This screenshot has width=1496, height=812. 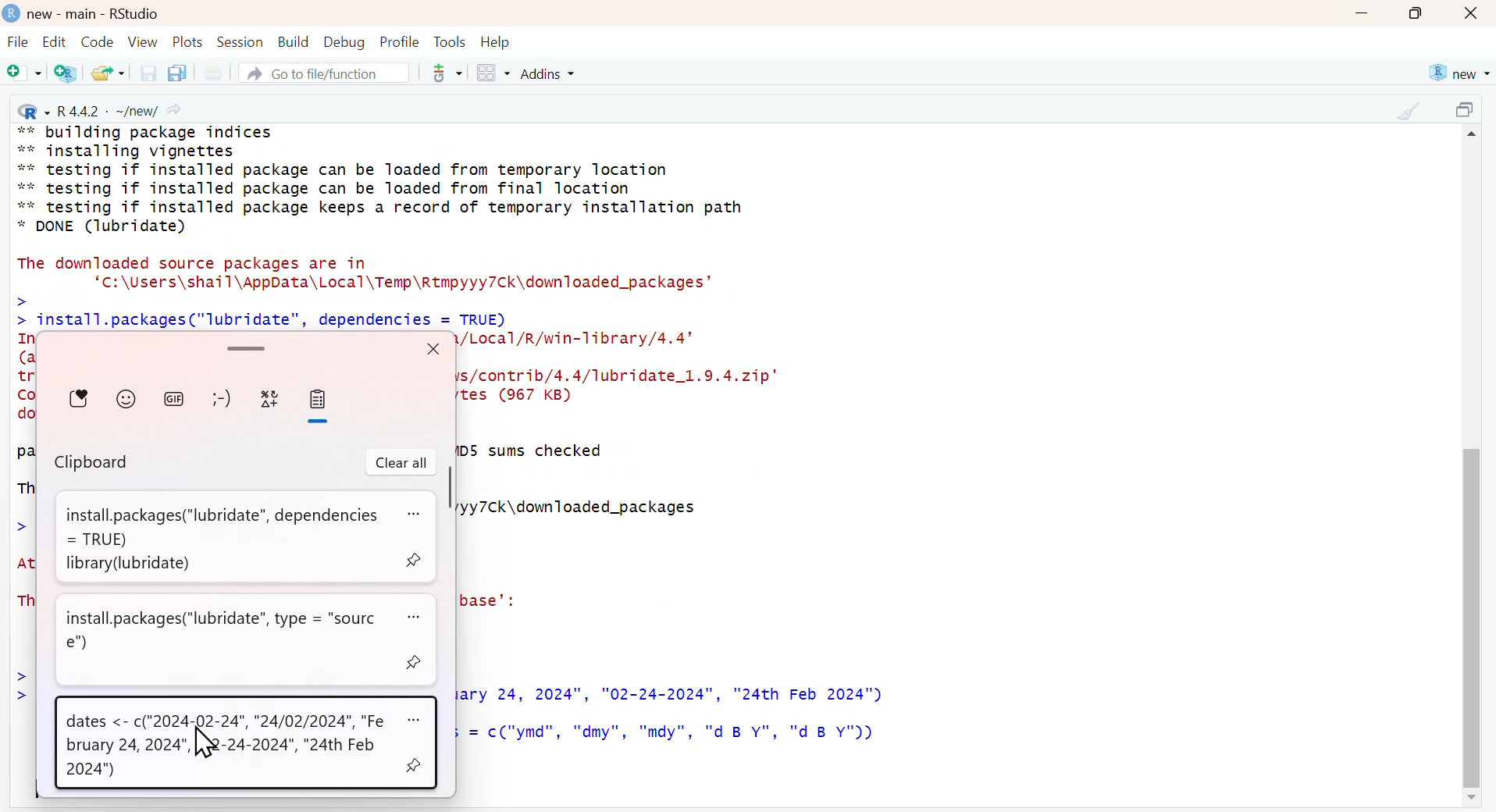 What do you see at coordinates (95, 41) in the screenshot?
I see `Code` at bounding box center [95, 41].